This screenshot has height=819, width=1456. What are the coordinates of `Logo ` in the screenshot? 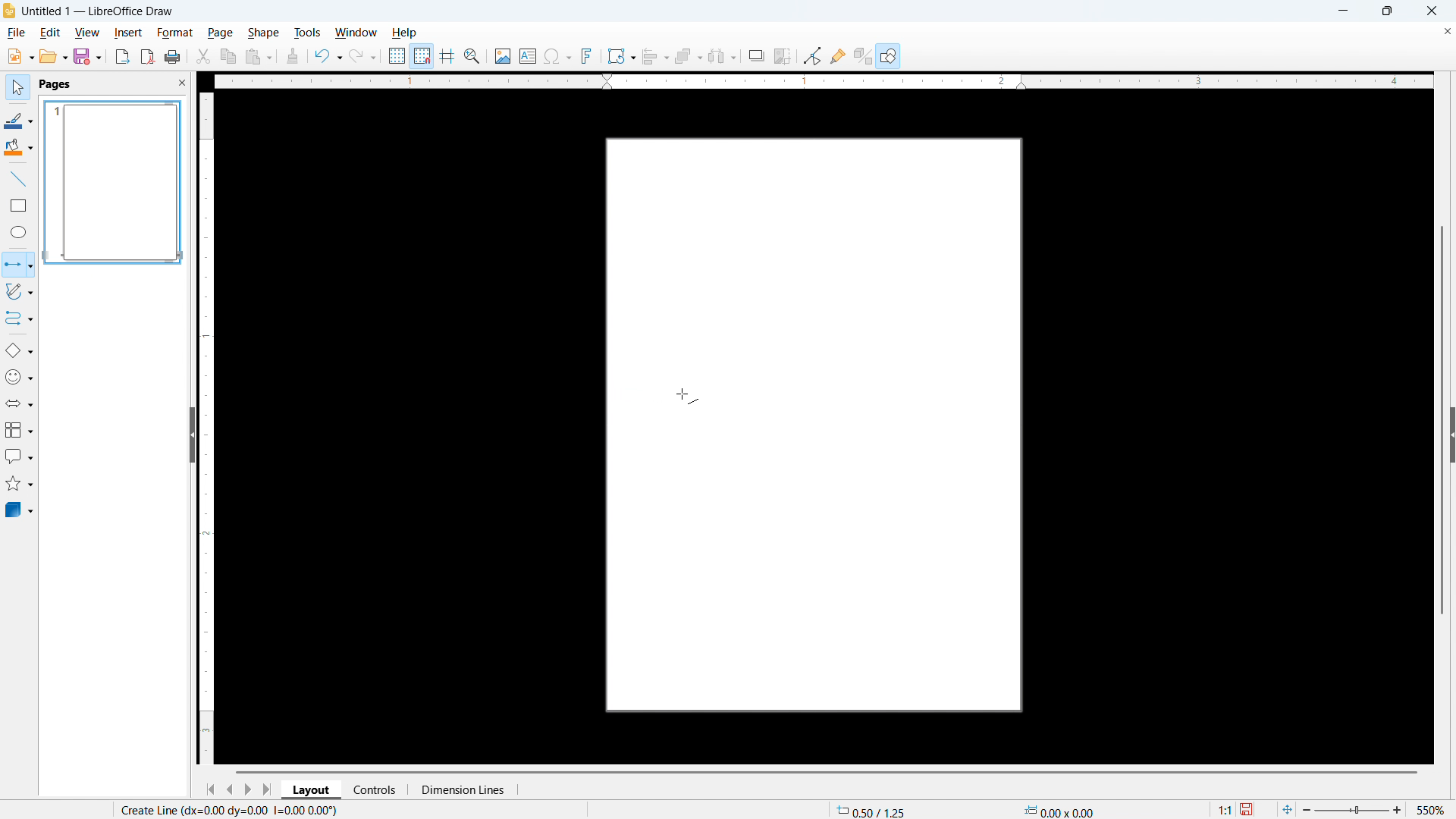 It's located at (10, 11).